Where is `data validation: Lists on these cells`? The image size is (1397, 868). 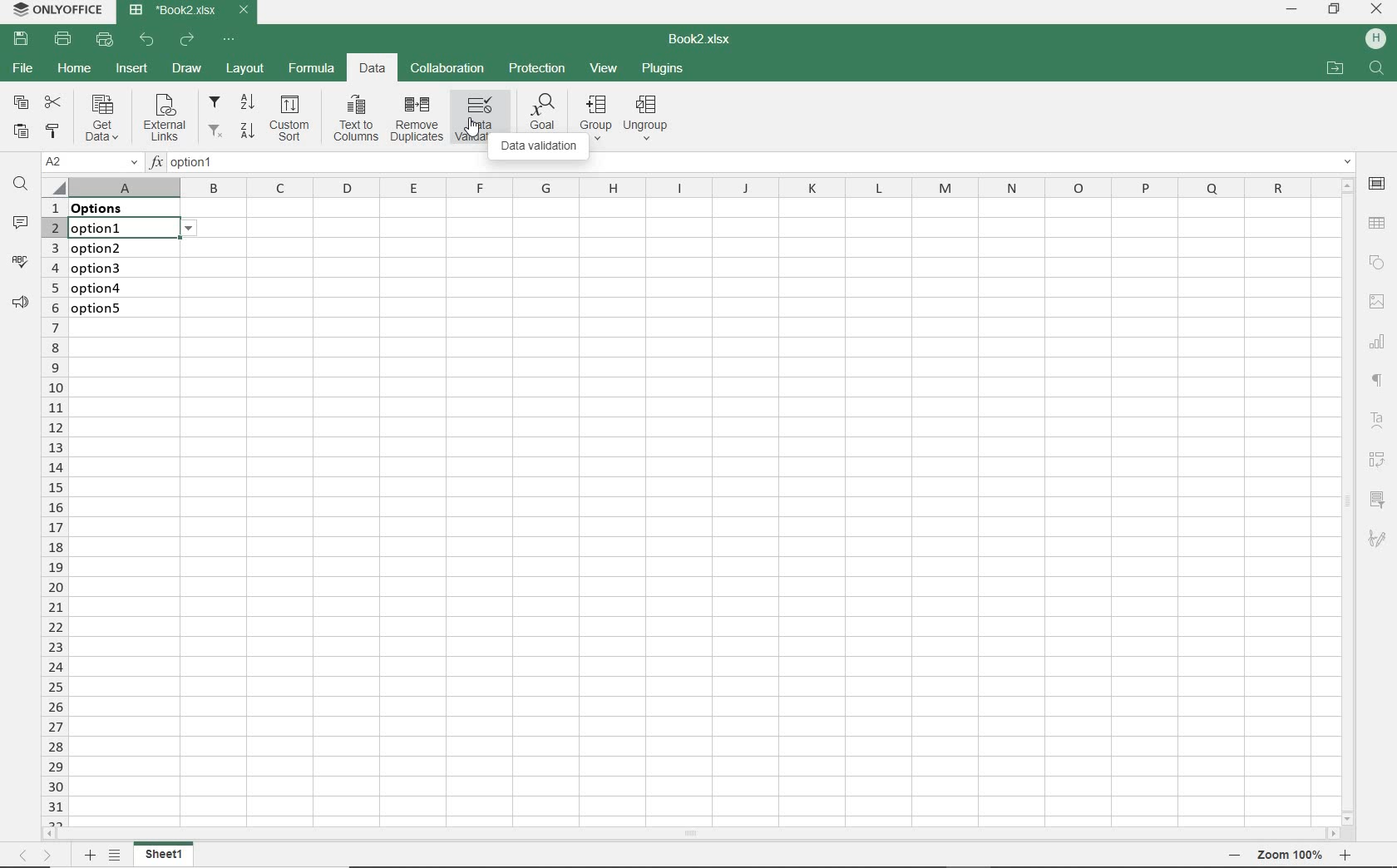
data validation: Lists on these cells is located at coordinates (136, 282).